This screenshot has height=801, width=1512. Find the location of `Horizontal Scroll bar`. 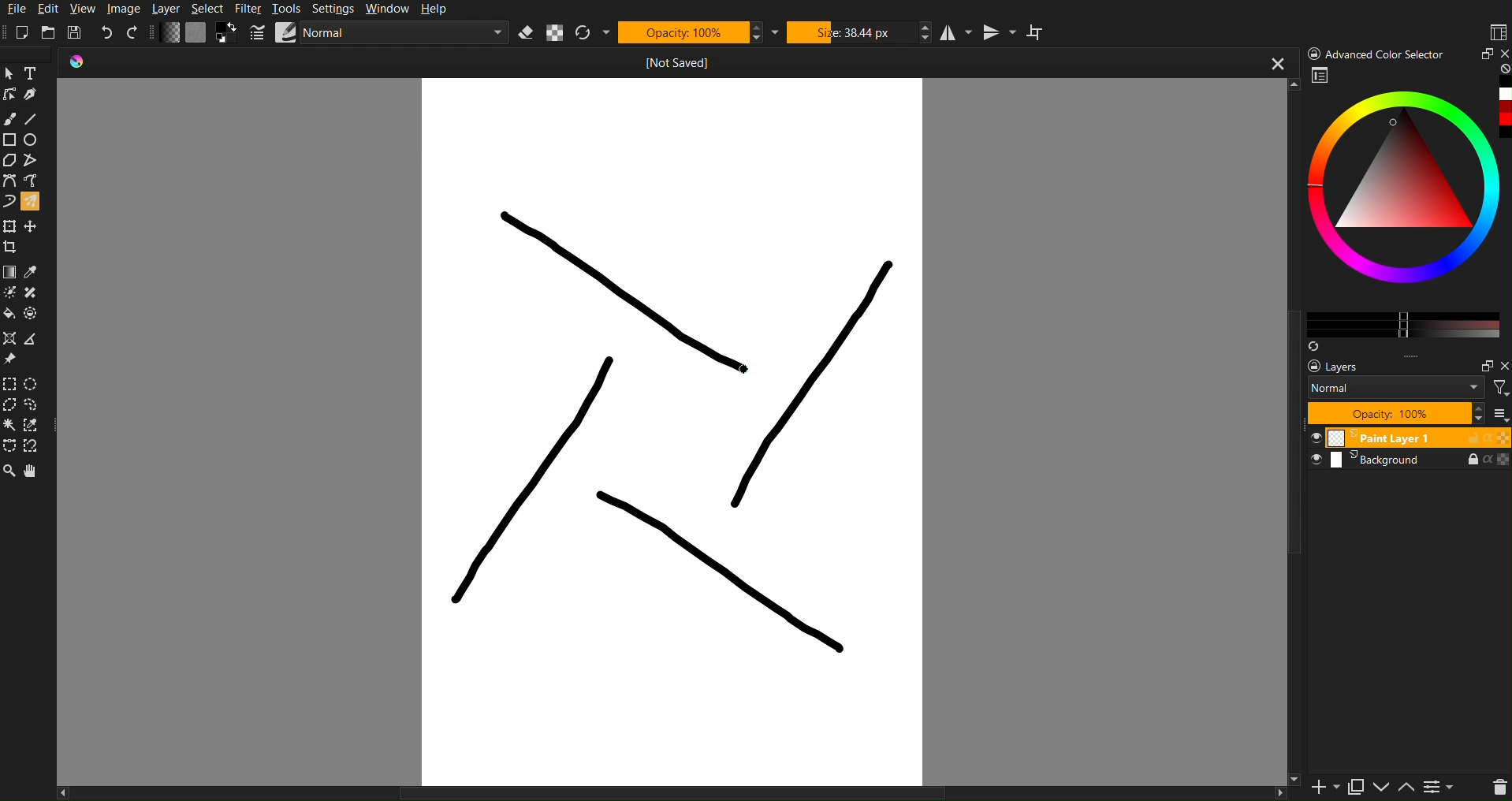

Horizontal Scroll bar is located at coordinates (644, 792).